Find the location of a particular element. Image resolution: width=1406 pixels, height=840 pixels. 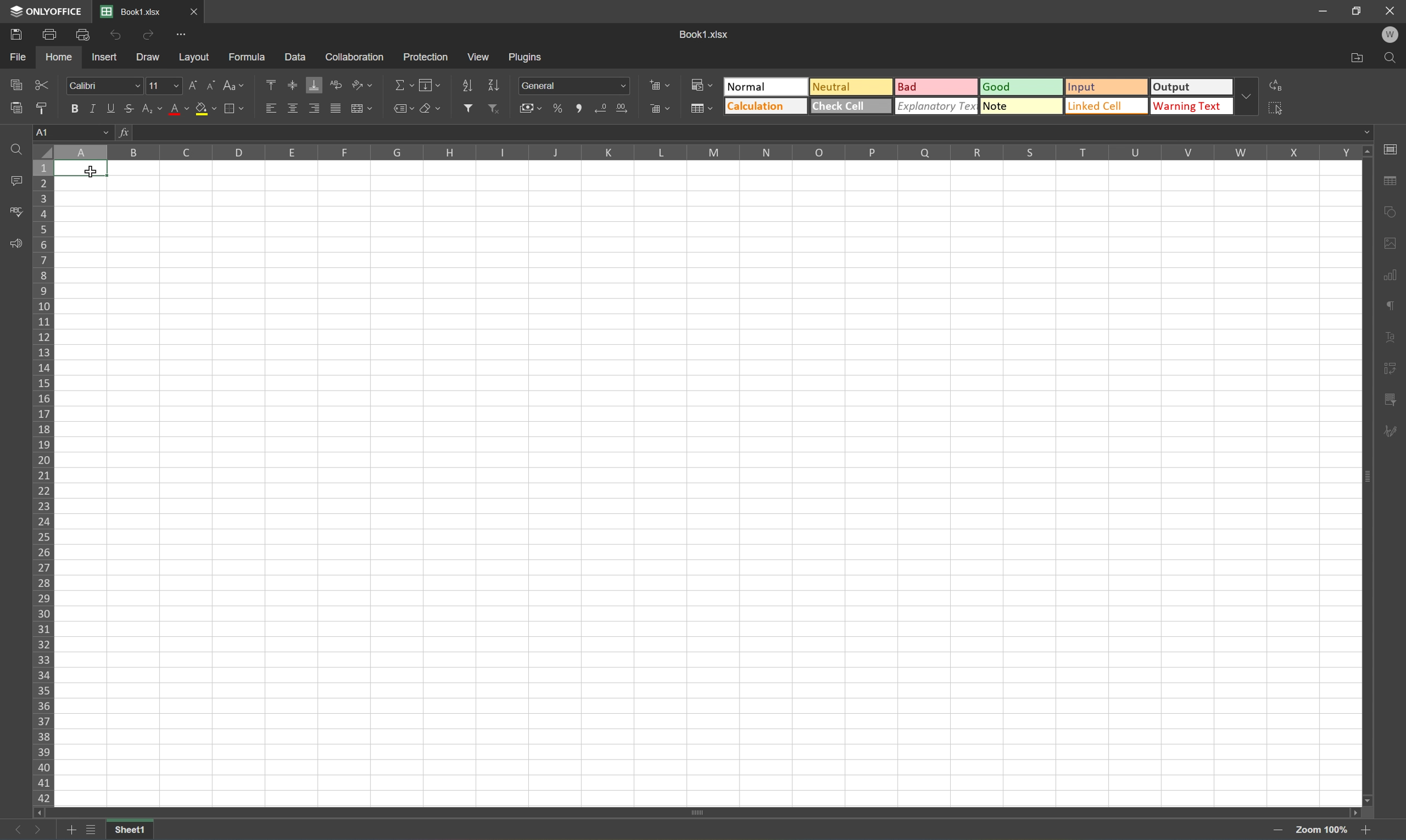

Table settings is located at coordinates (1390, 183).